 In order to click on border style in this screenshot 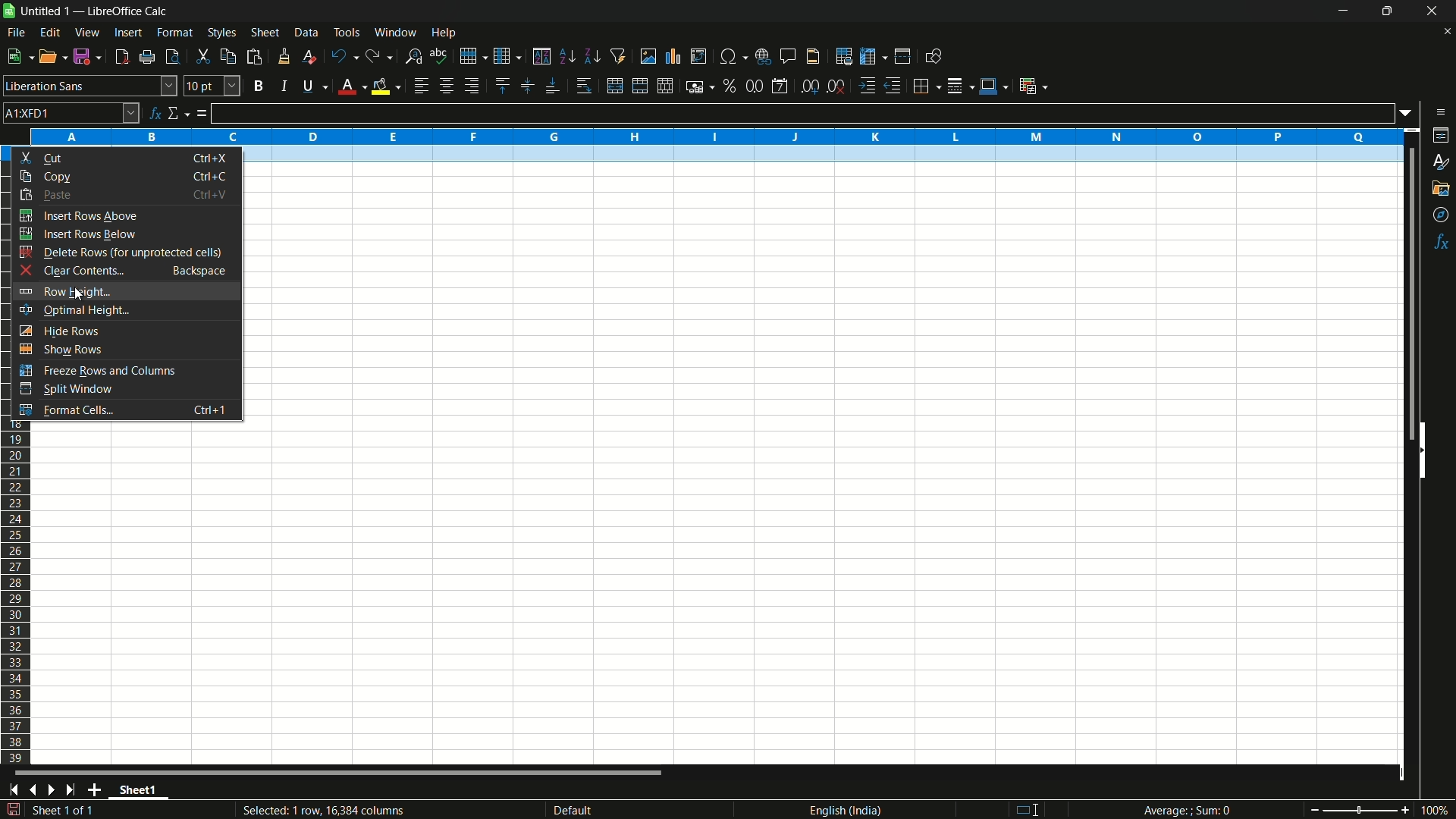, I will do `click(962, 84)`.